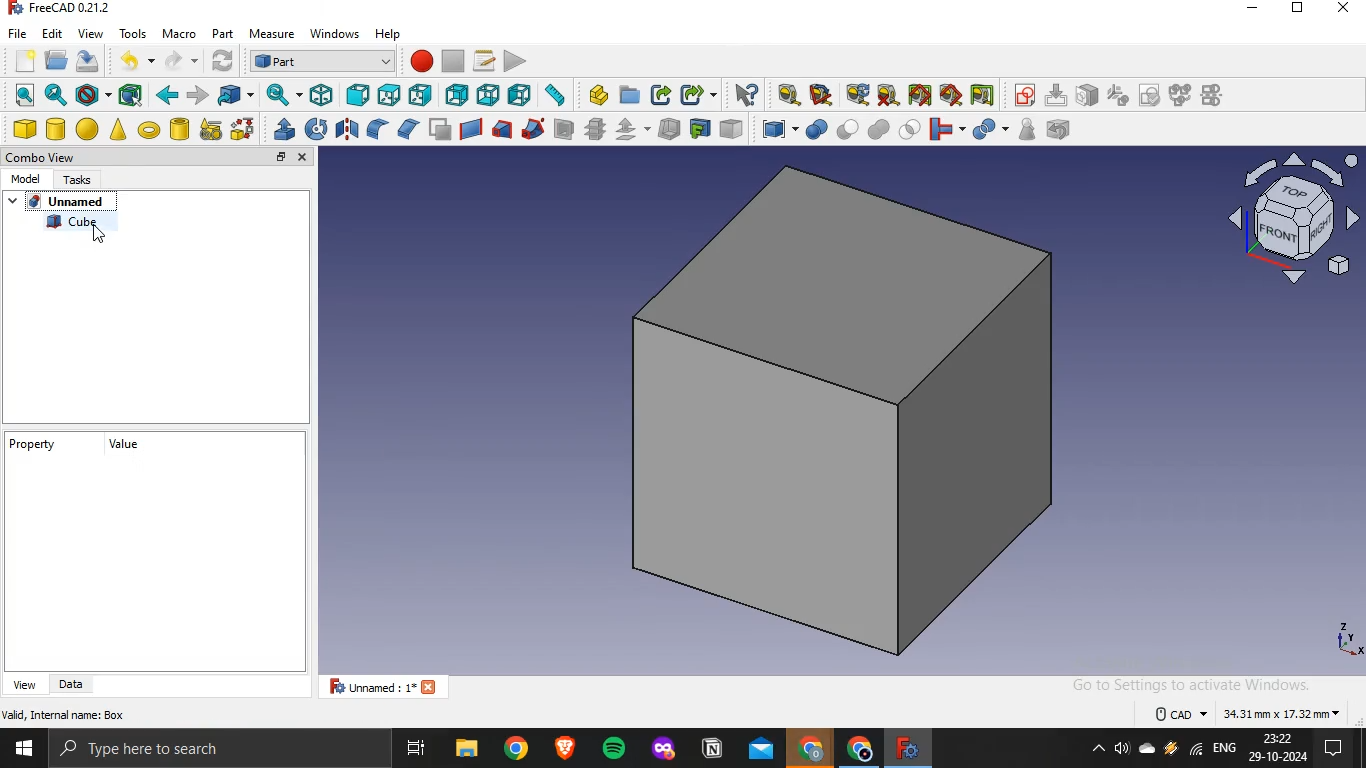 Image resolution: width=1366 pixels, height=768 pixels. Describe the element at coordinates (272, 35) in the screenshot. I see `measure` at that location.